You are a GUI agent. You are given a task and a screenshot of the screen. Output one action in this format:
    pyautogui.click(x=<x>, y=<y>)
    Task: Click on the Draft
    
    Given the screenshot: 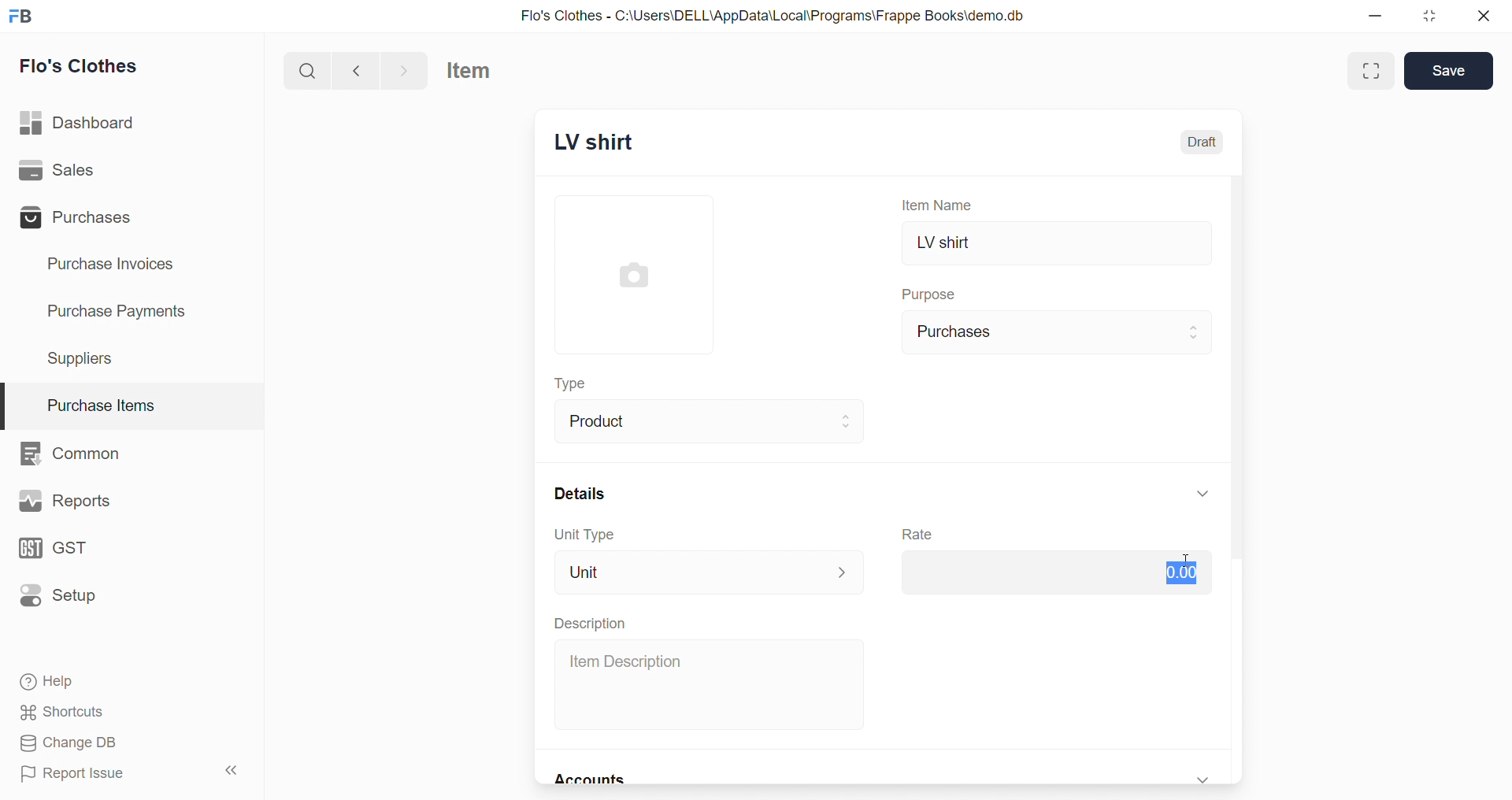 What is the action you would take?
    pyautogui.click(x=1204, y=142)
    